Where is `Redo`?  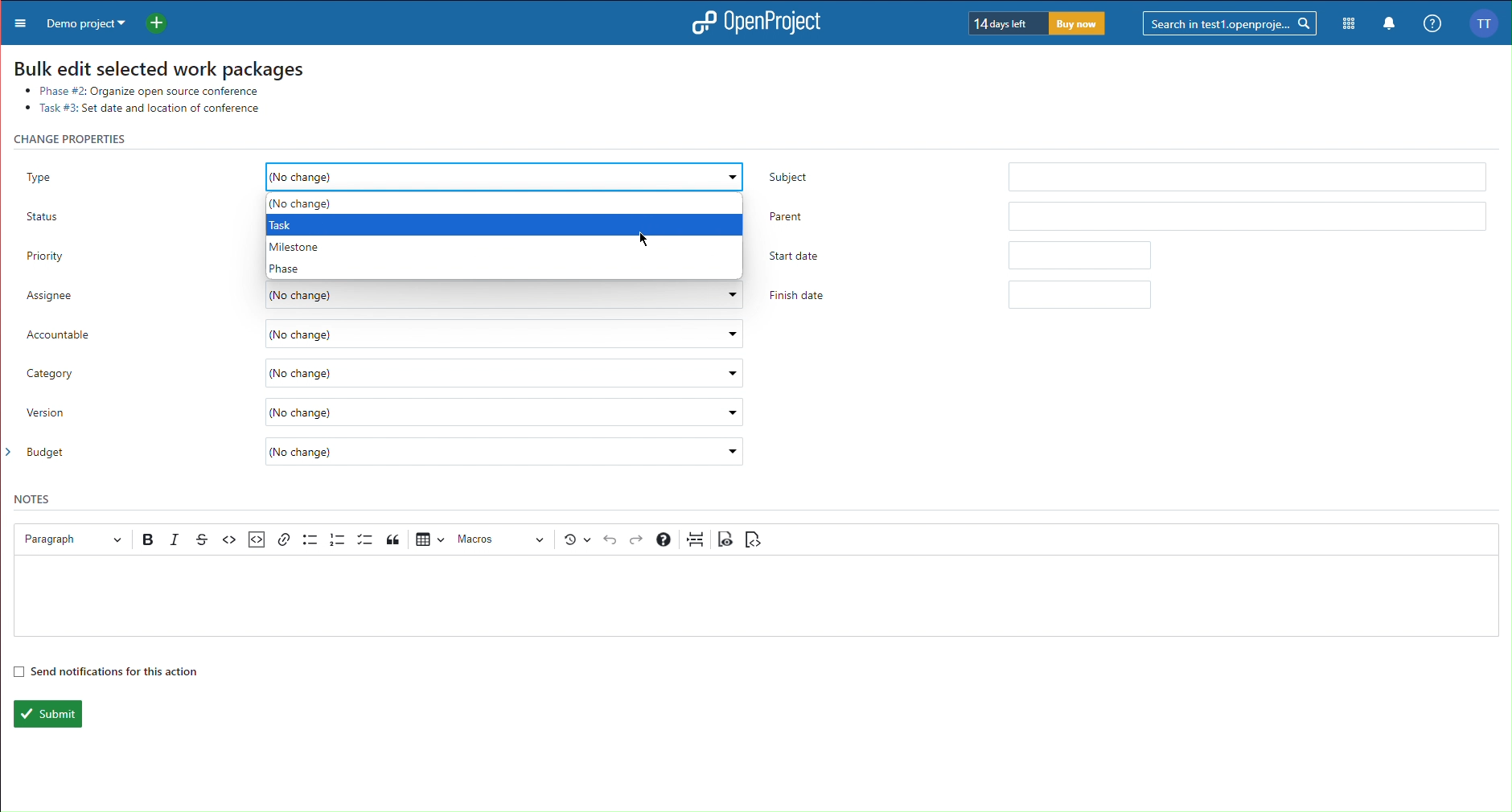 Redo is located at coordinates (638, 540).